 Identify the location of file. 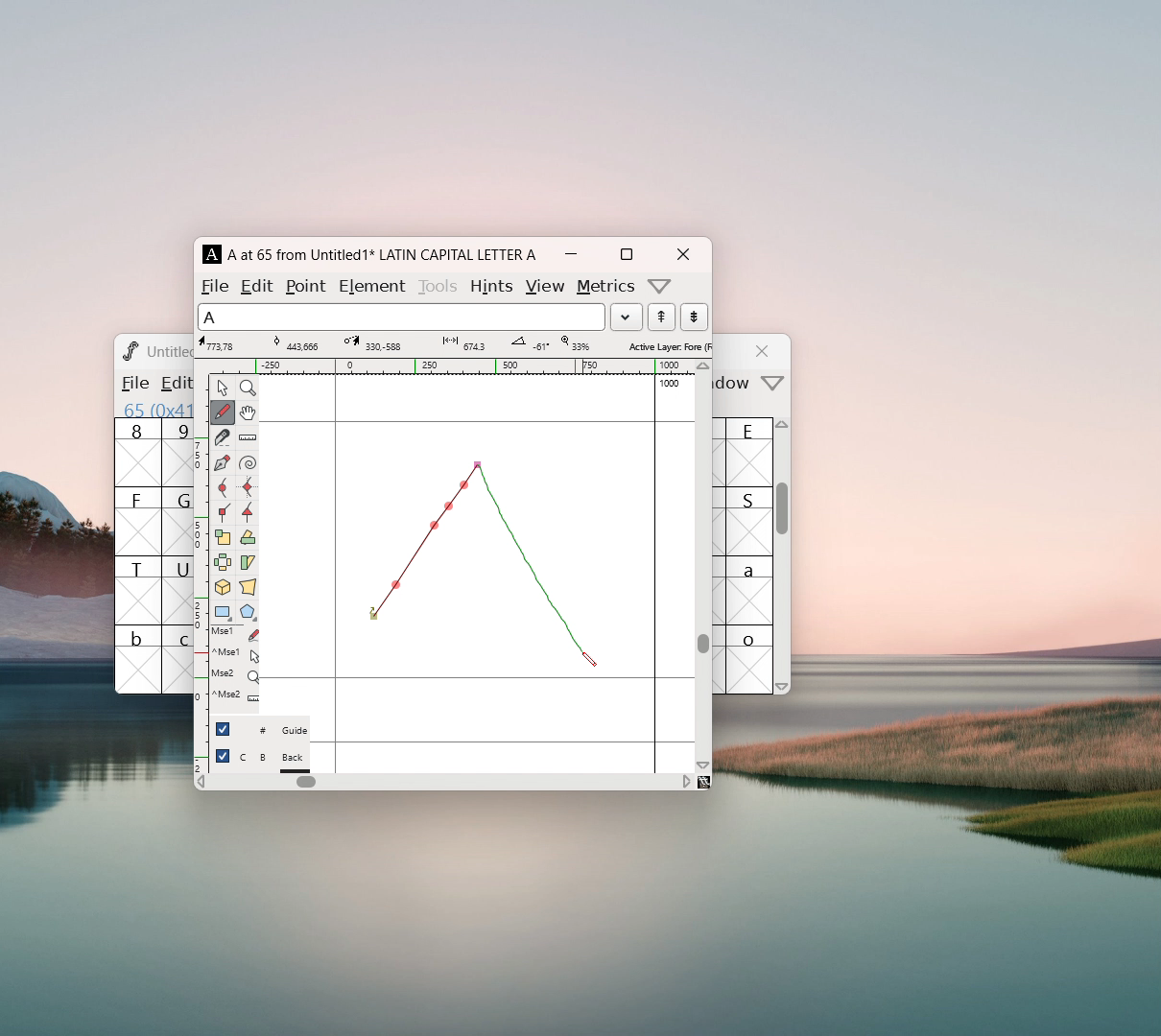
(133, 383).